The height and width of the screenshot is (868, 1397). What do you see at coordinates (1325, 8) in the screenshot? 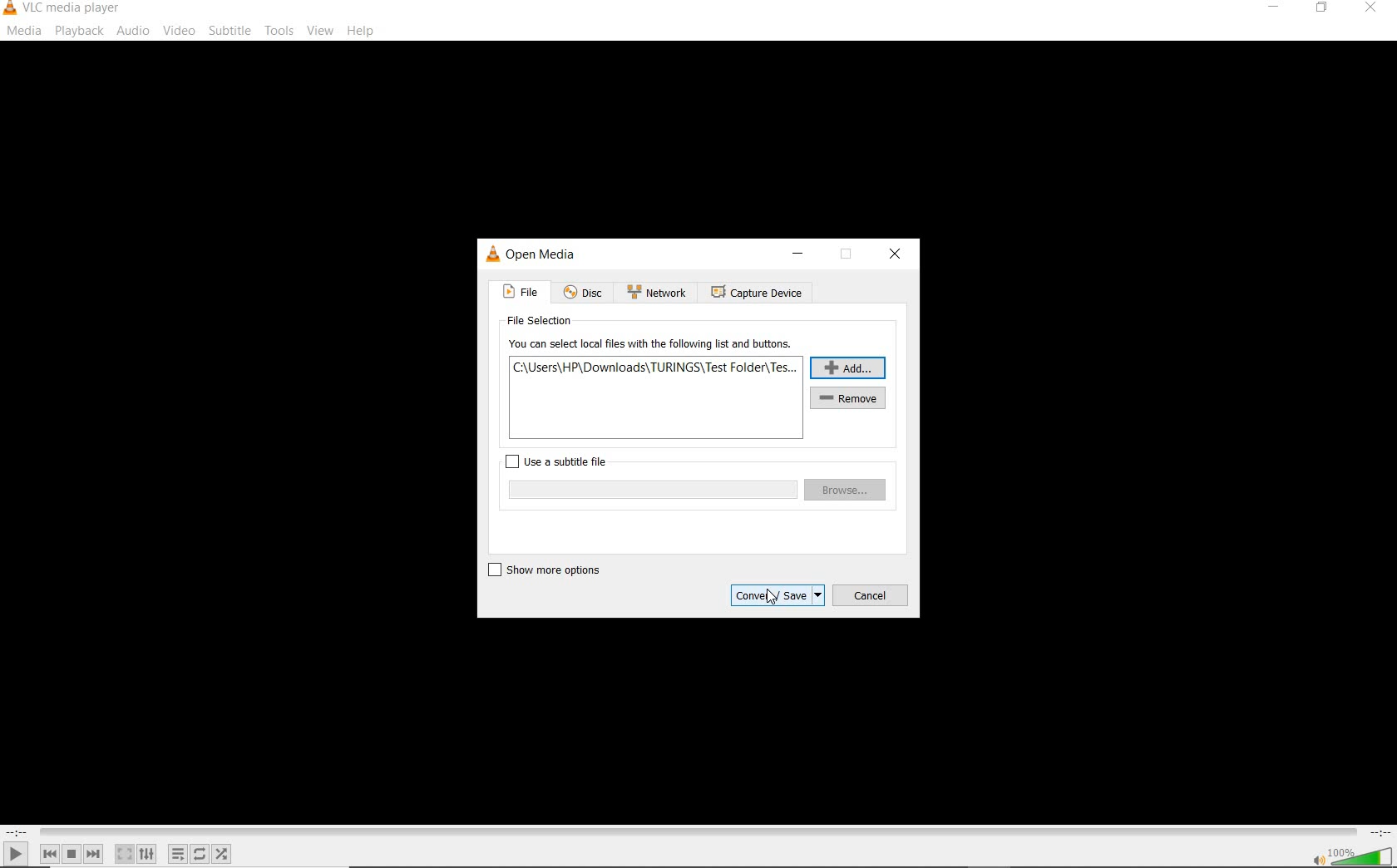
I see `restore down` at bounding box center [1325, 8].